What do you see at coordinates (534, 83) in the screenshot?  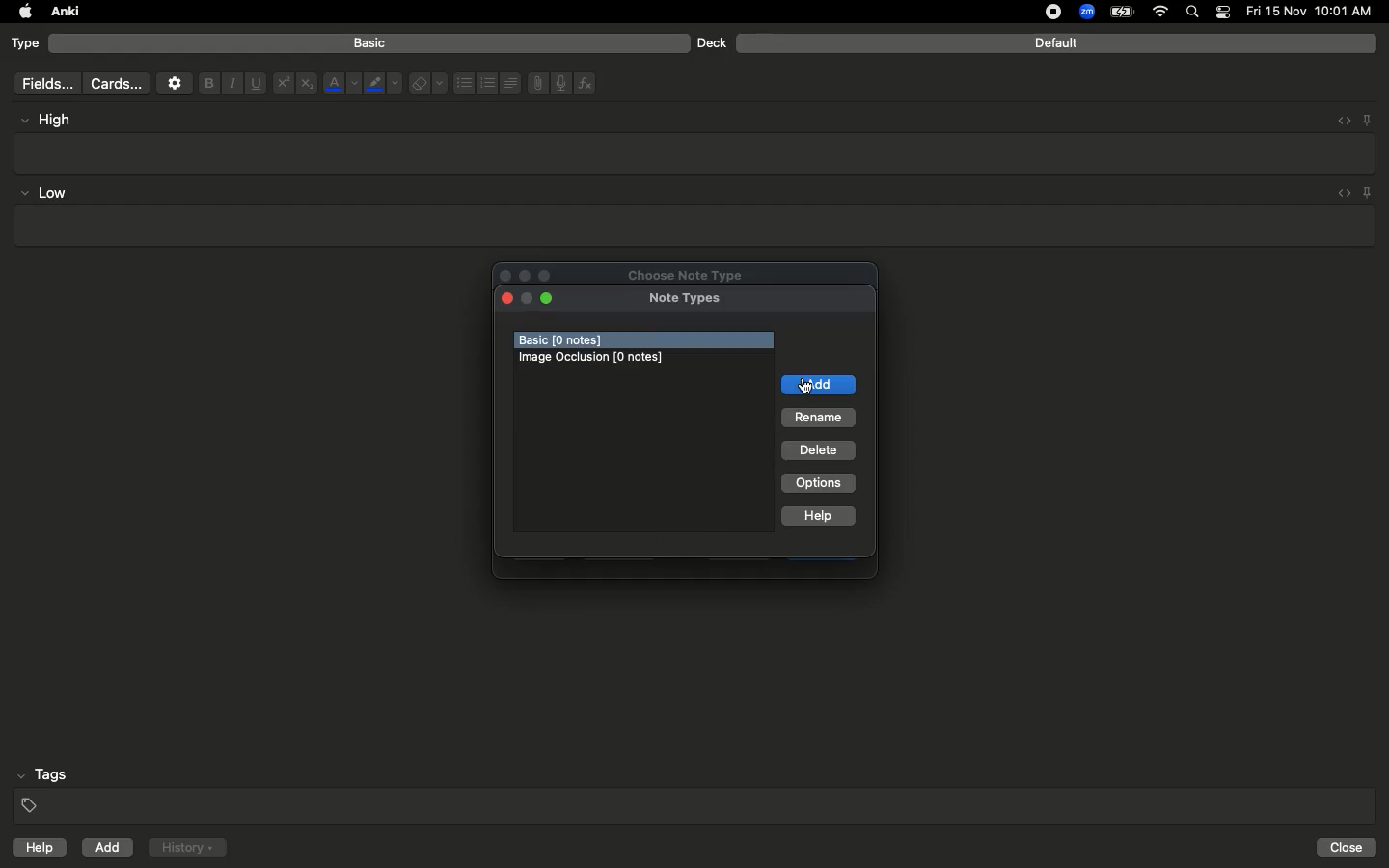 I see `File` at bounding box center [534, 83].